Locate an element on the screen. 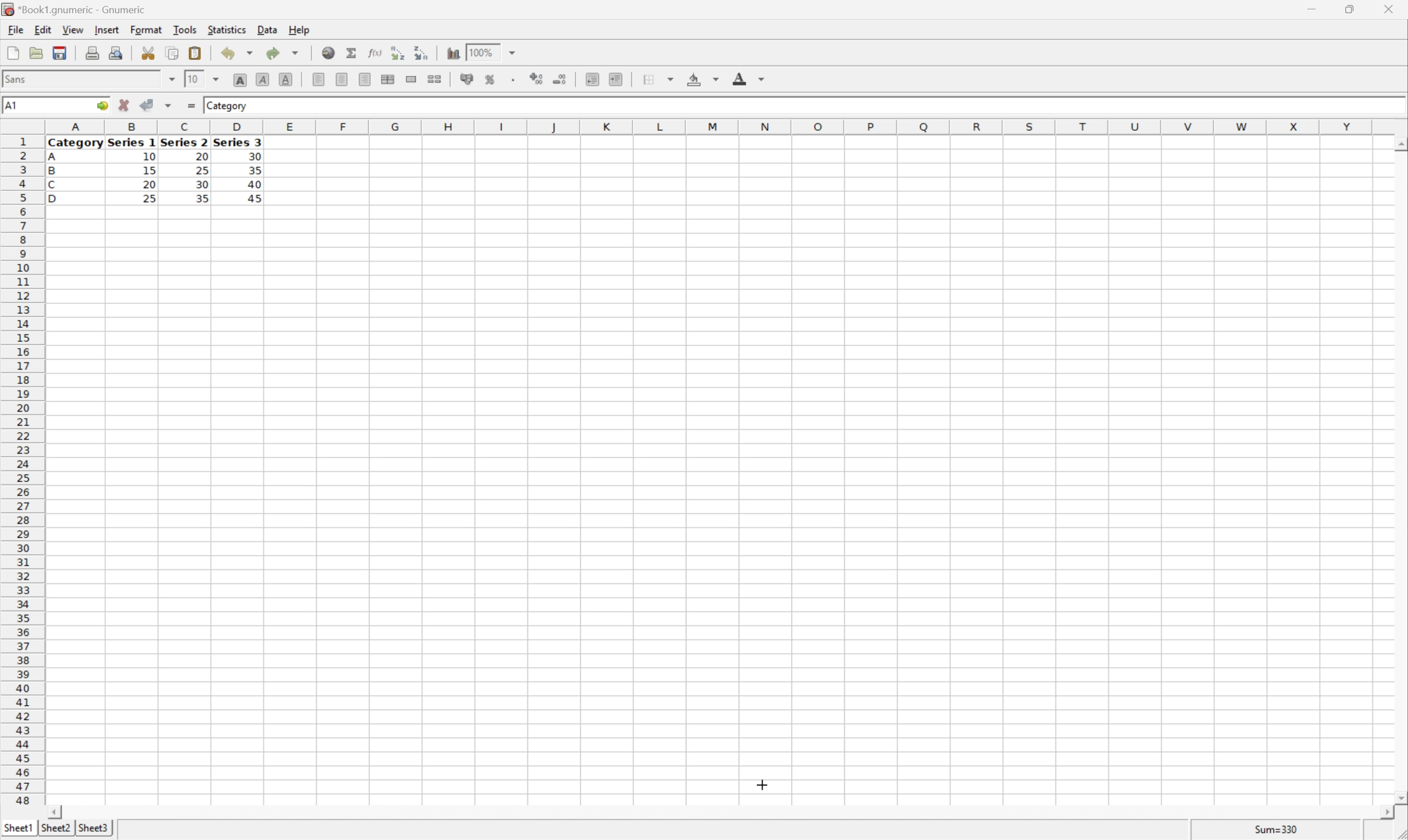 This screenshot has width=1408, height=840. Format the selection as accounting is located at coordinates (462, 78).